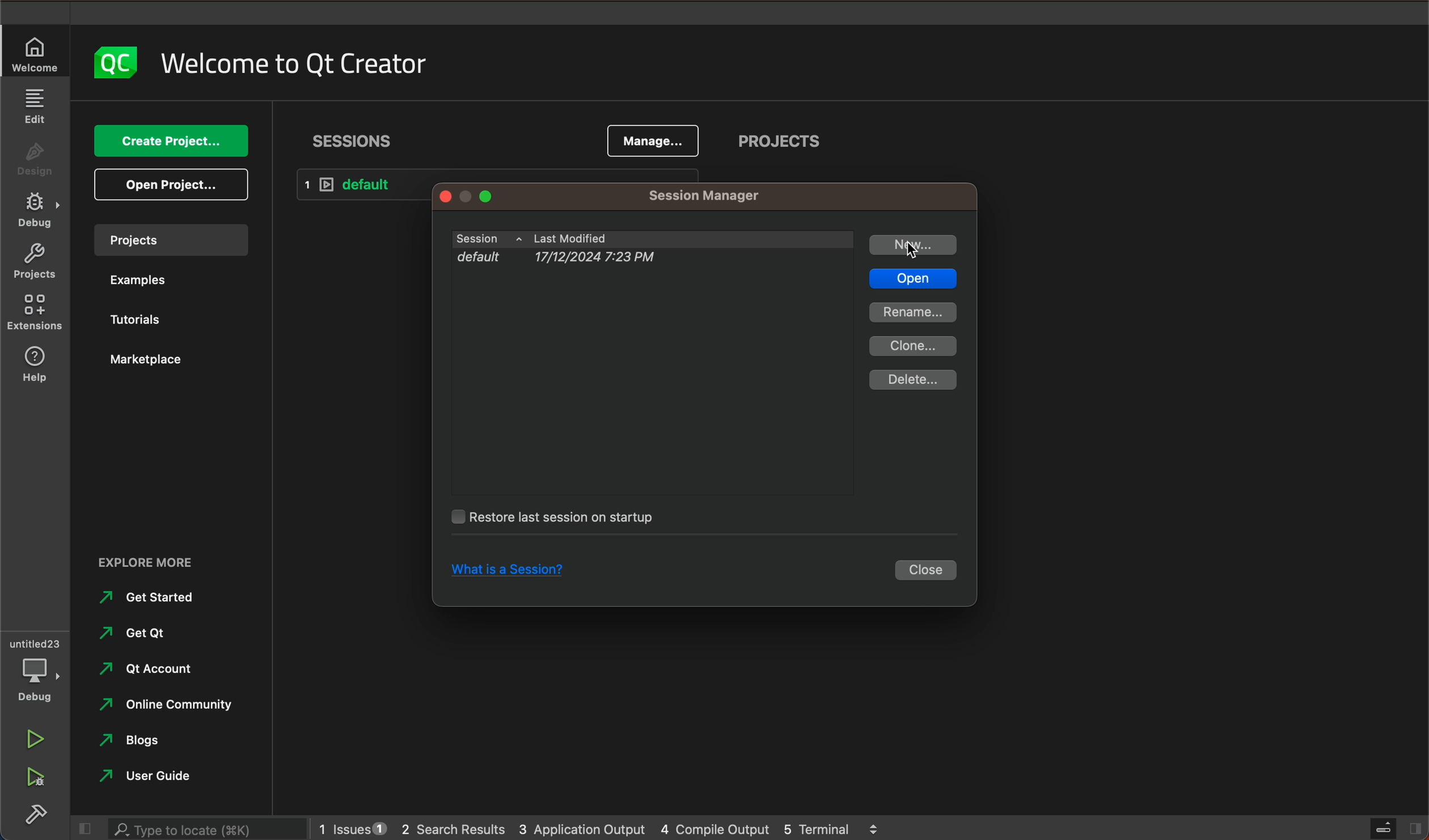 The width and height of the screenshot is (1429, 840). I want to click on issues, so click(350, 826).